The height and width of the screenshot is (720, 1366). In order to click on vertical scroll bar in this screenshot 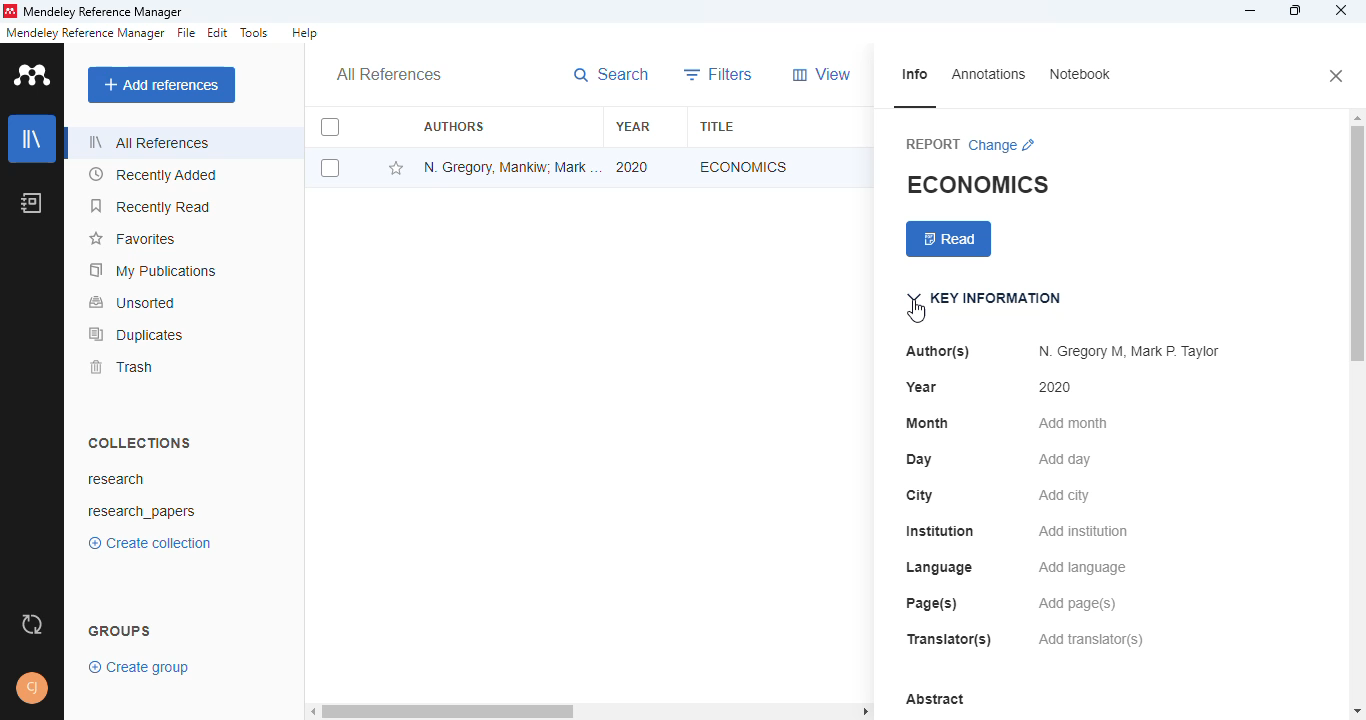, I will do `click(1356, 245)`.